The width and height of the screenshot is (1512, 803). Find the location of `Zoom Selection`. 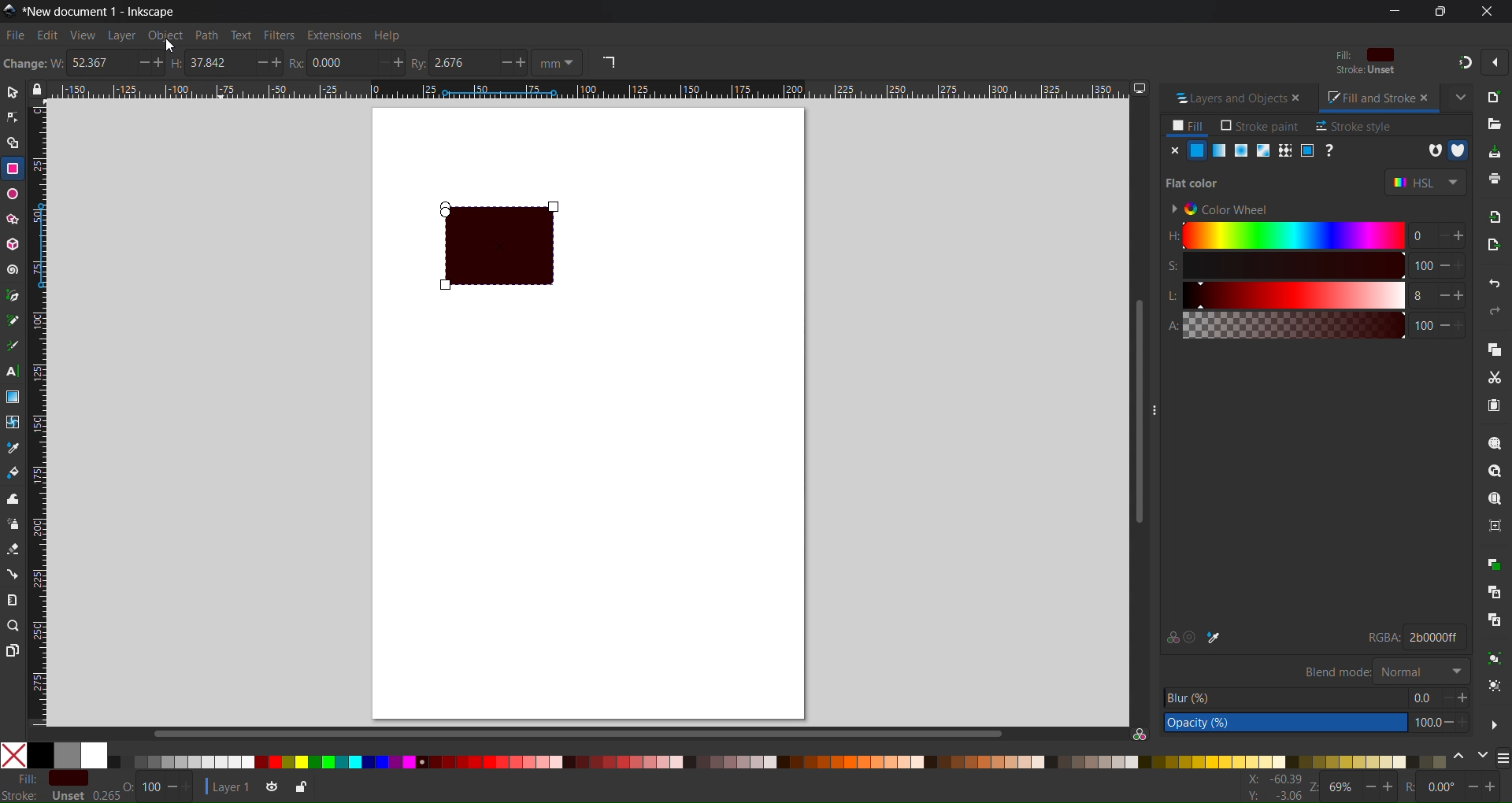

Zoom Selection is located at coordinates (1494, 443).